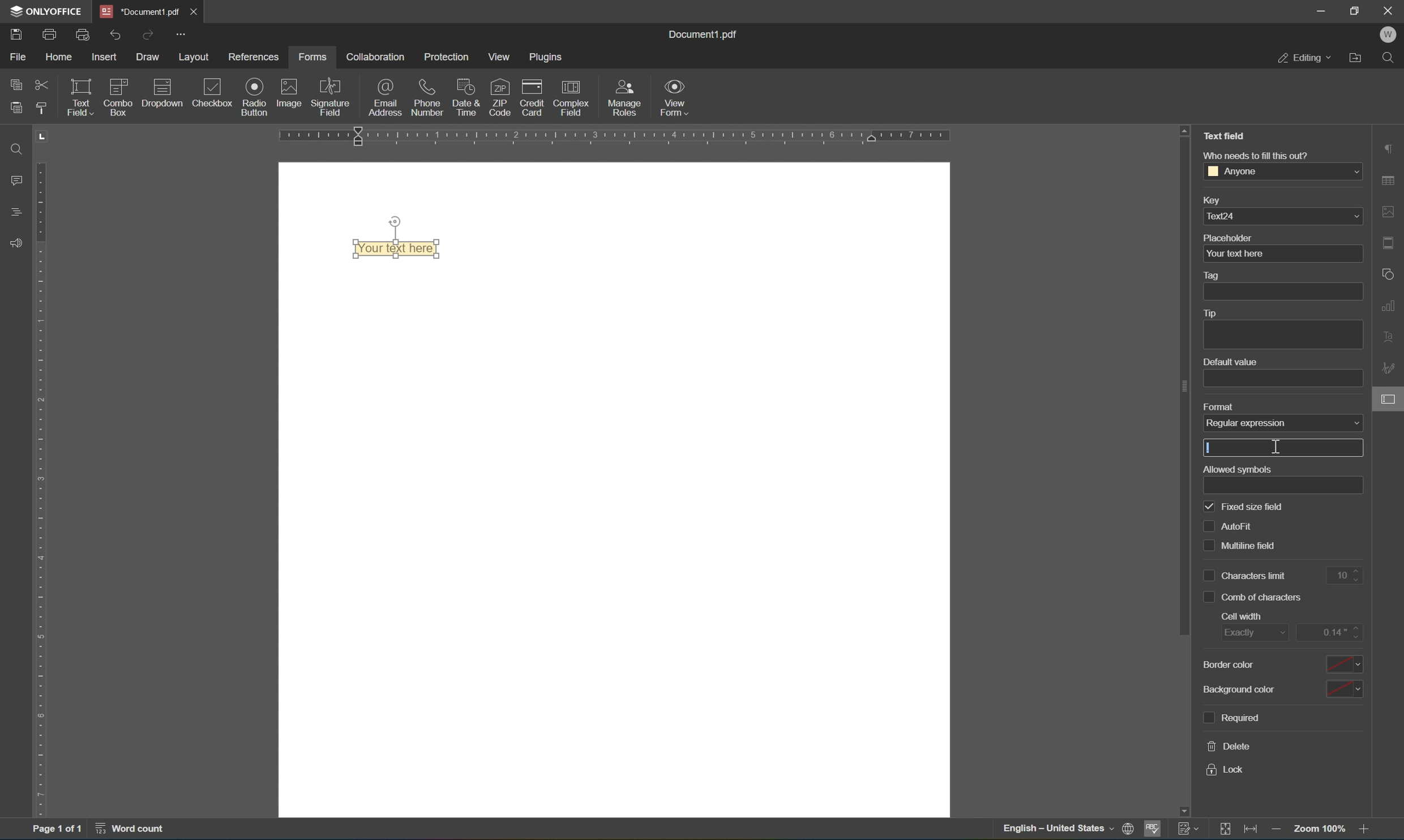  What do you see at coordinates (1189, 828) in the screenshot?
I see `track changes` at bounding box center [1189, 828].